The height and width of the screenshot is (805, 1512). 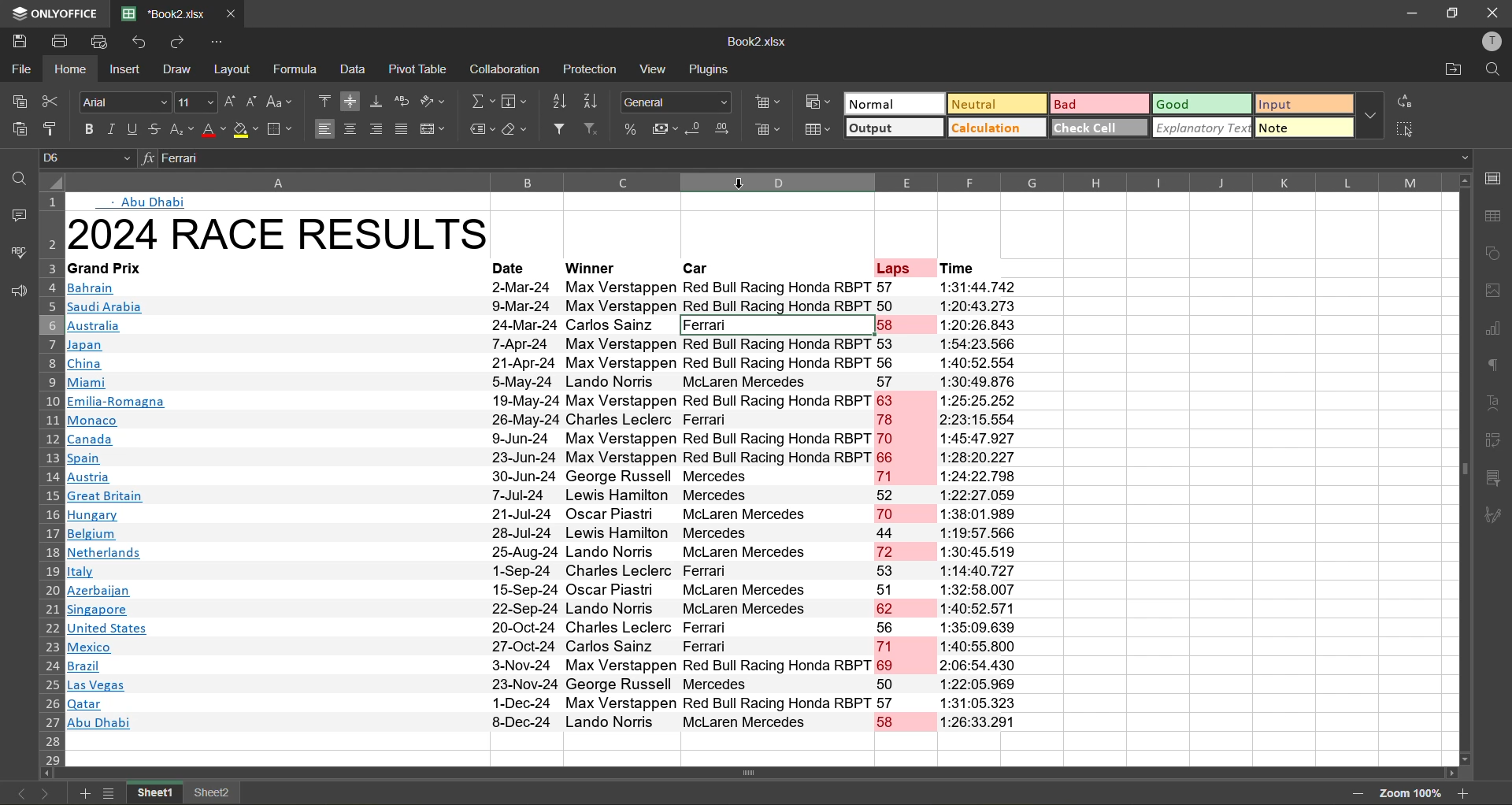 I want to click on redo, so click(x=180, y=42).